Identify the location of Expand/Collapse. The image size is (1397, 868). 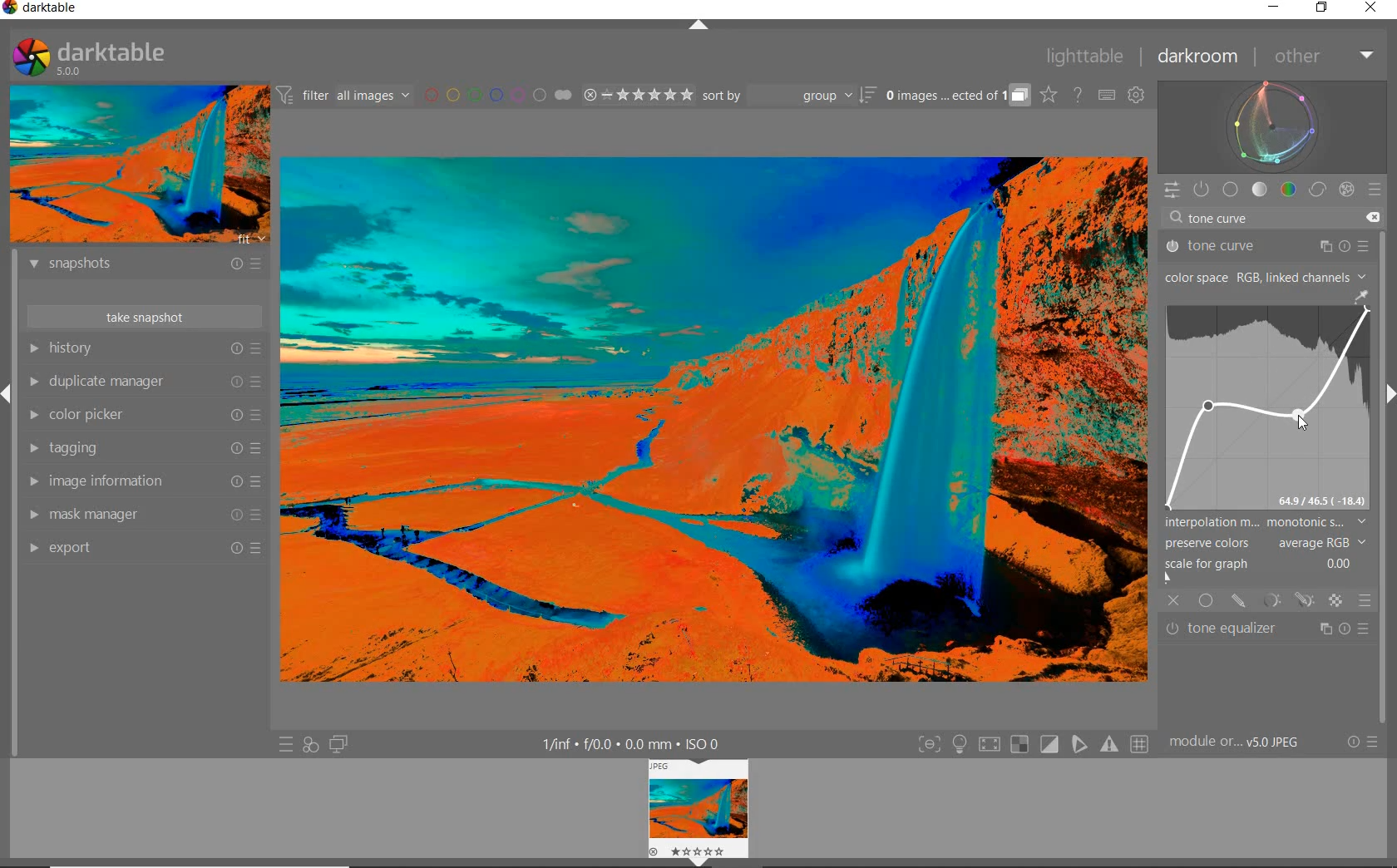
(1389, 392).